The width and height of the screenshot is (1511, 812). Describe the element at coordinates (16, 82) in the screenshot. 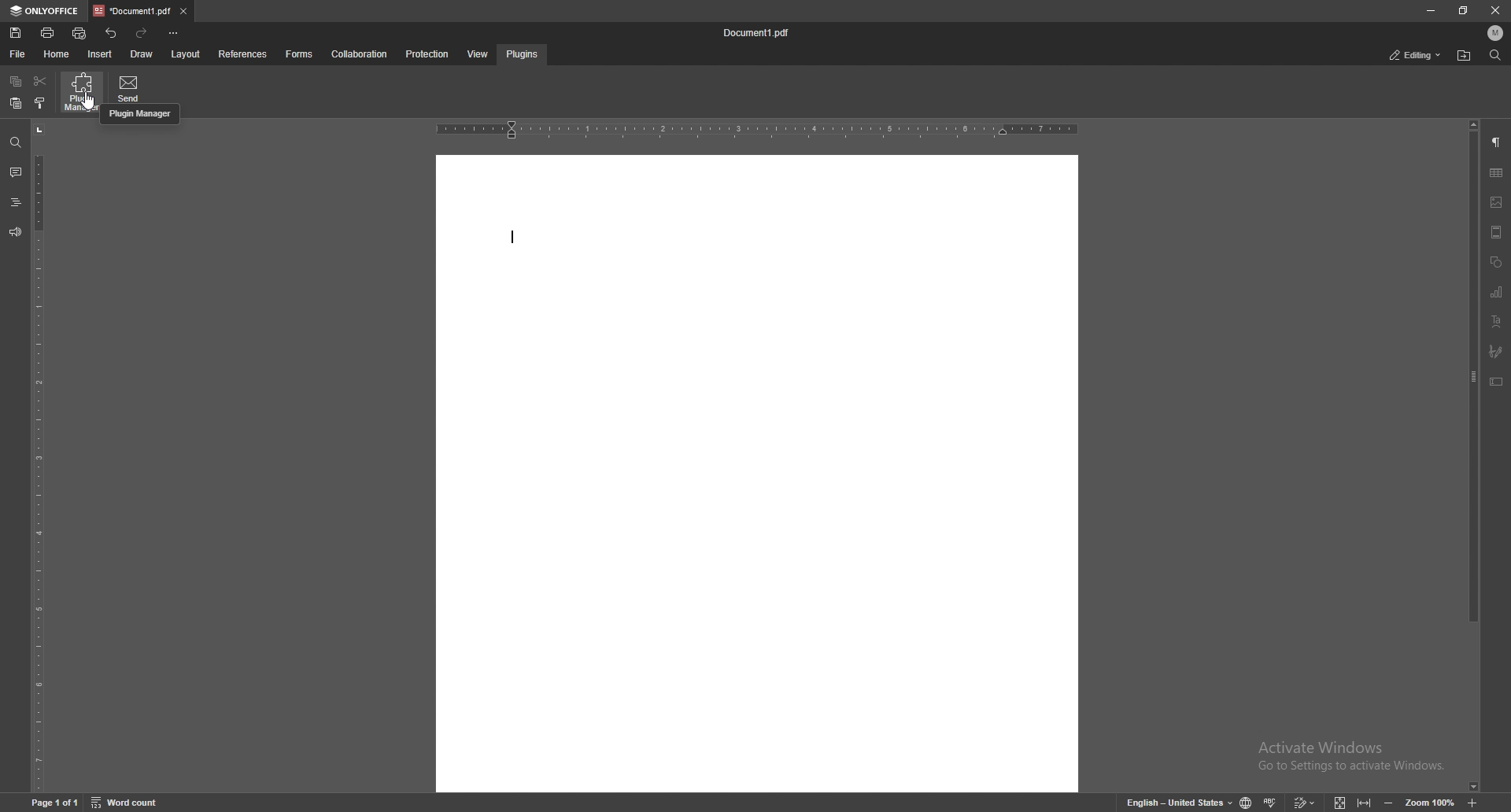

I see `copy` at that location.